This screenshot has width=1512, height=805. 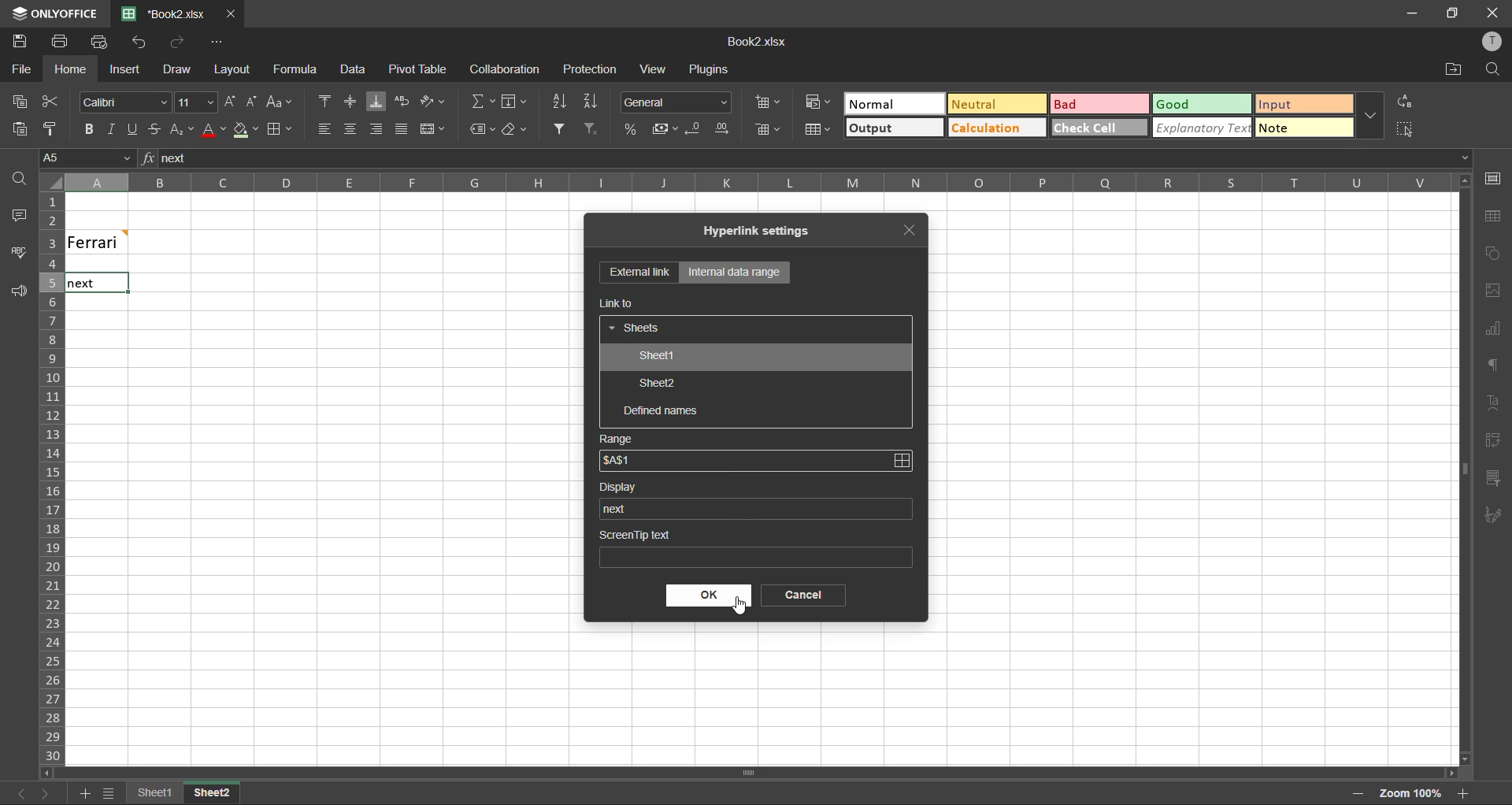 I want to click on draw, so click(x=177, y=72).